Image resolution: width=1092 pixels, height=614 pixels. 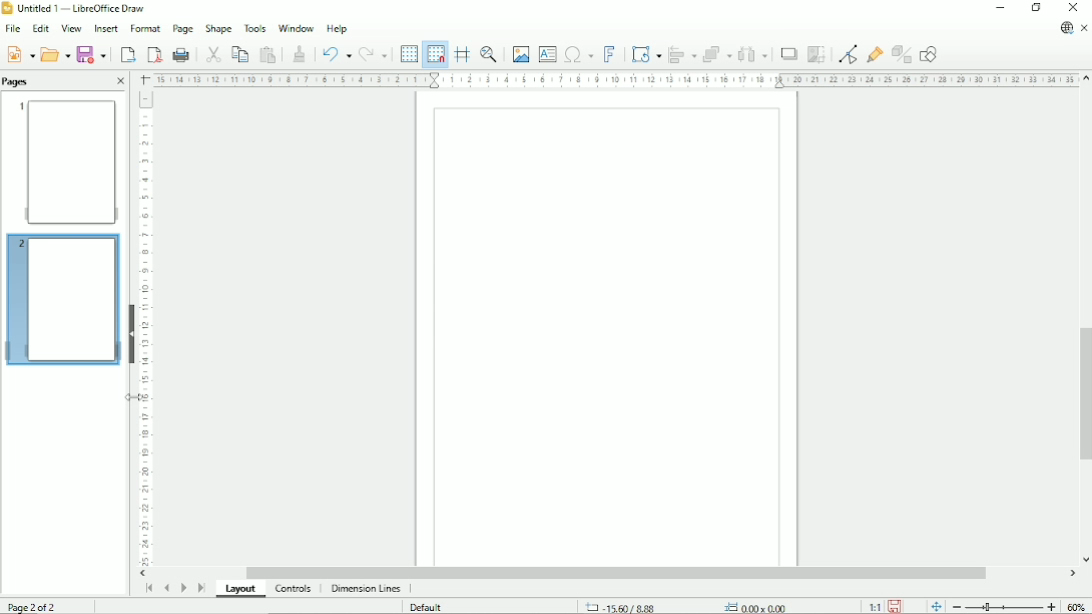 I want to click on Undo, so click(x=334, y=53).